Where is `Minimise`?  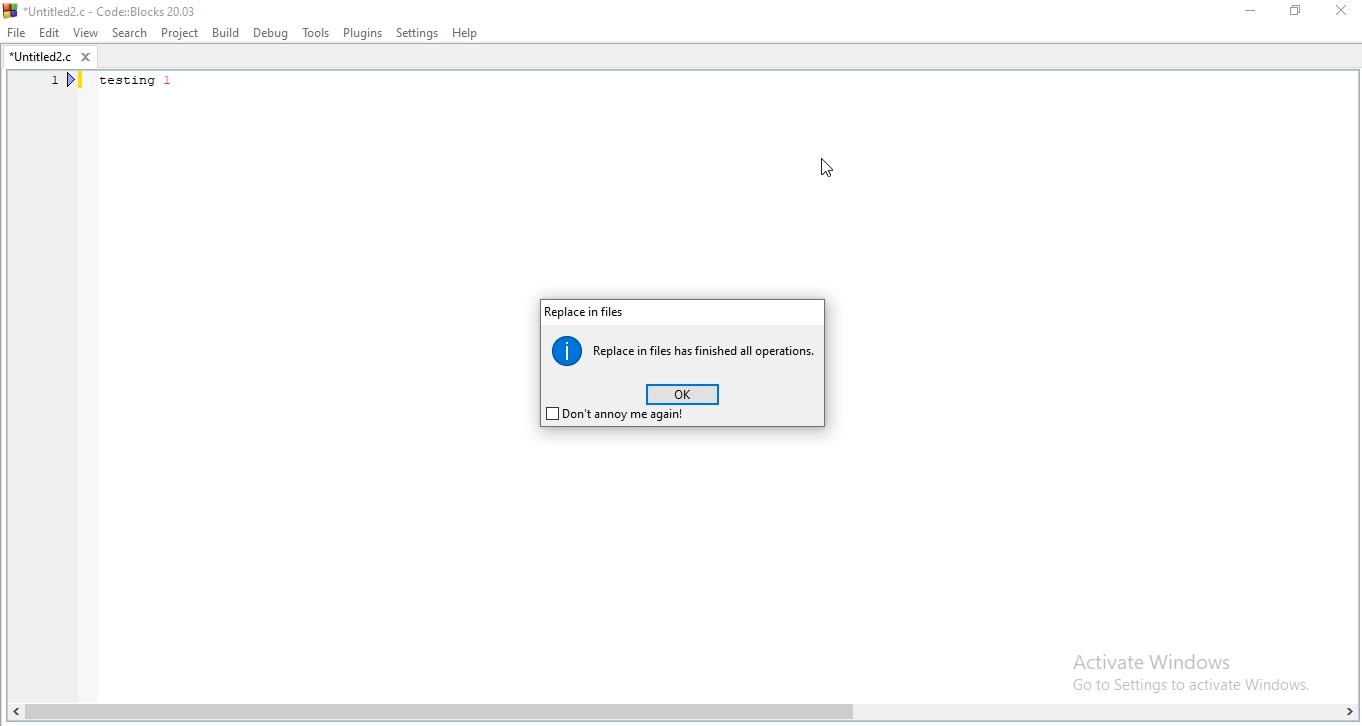
Minimise is located at coordinates (1250, 14).